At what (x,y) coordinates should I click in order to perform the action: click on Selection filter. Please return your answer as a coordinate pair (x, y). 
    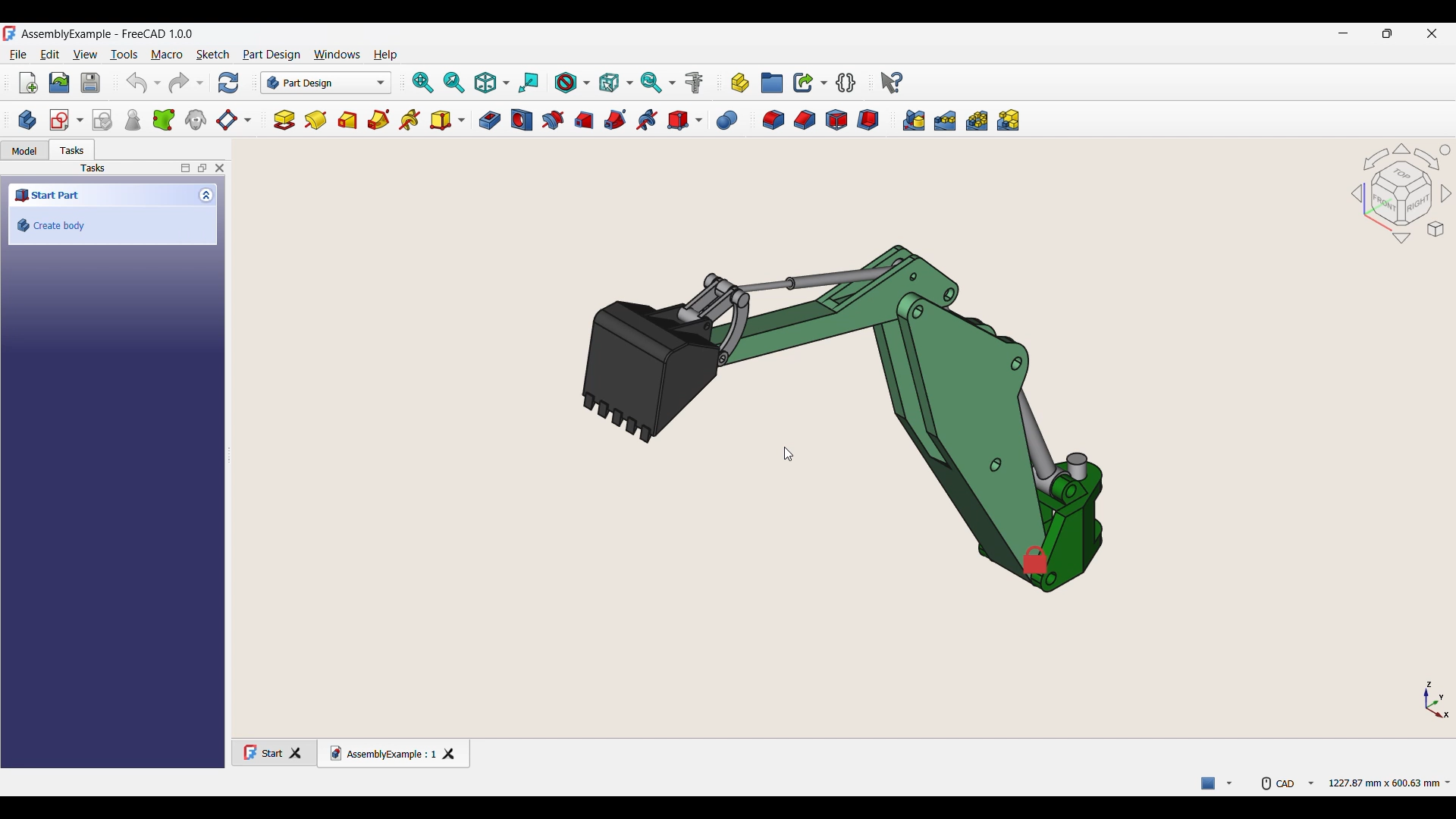
    Looking at the image, I should click on (616, 82).